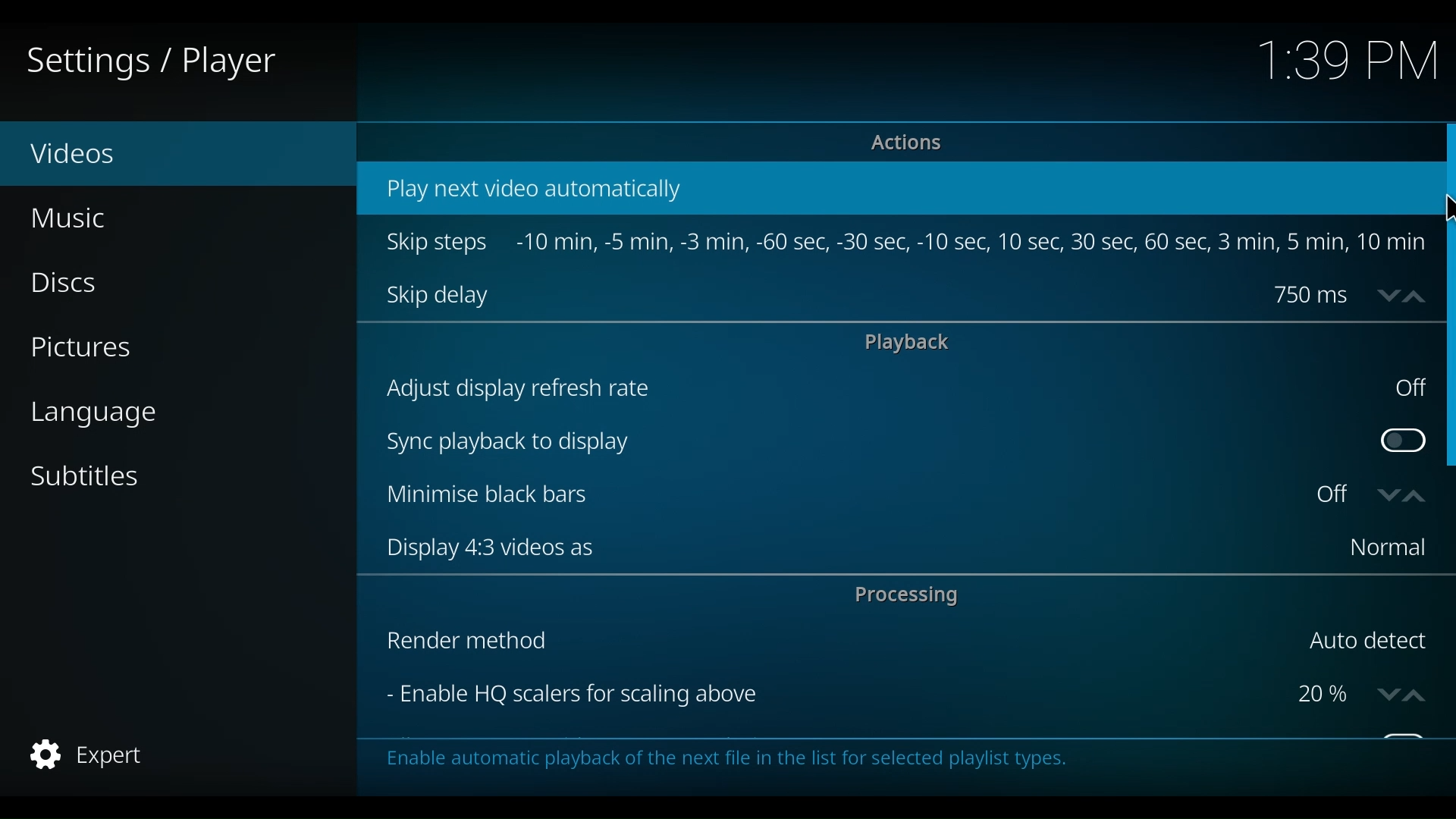 The height and width of the screenshot is (819, 1456). I want to click on Toggle on or off, so click(1345, 495).